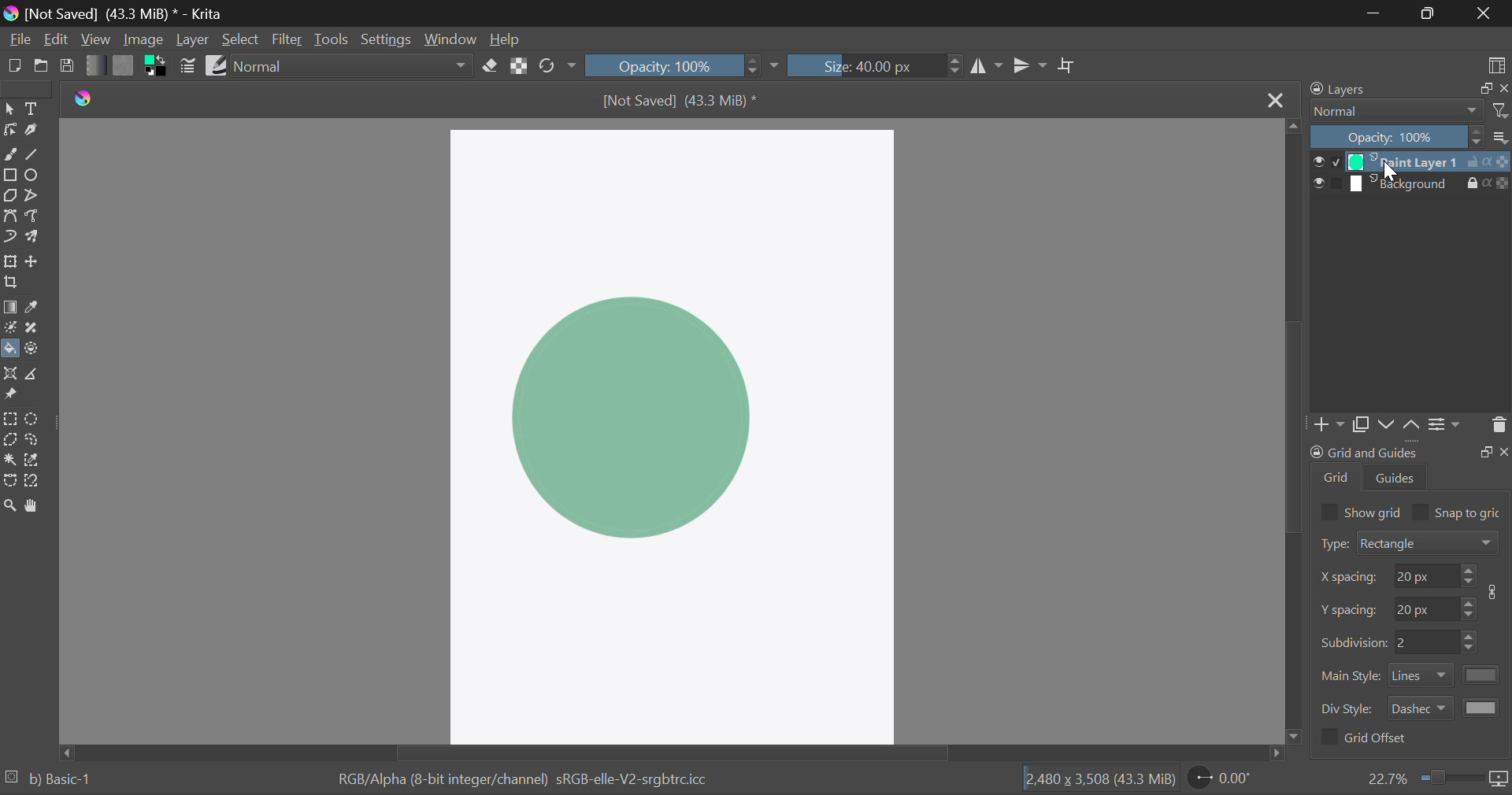 The width and height of the screenshot is (1512, 795). Describe the element at coordinates (1409, 112) in the screenshot. I see `Blending Modes` at that location.